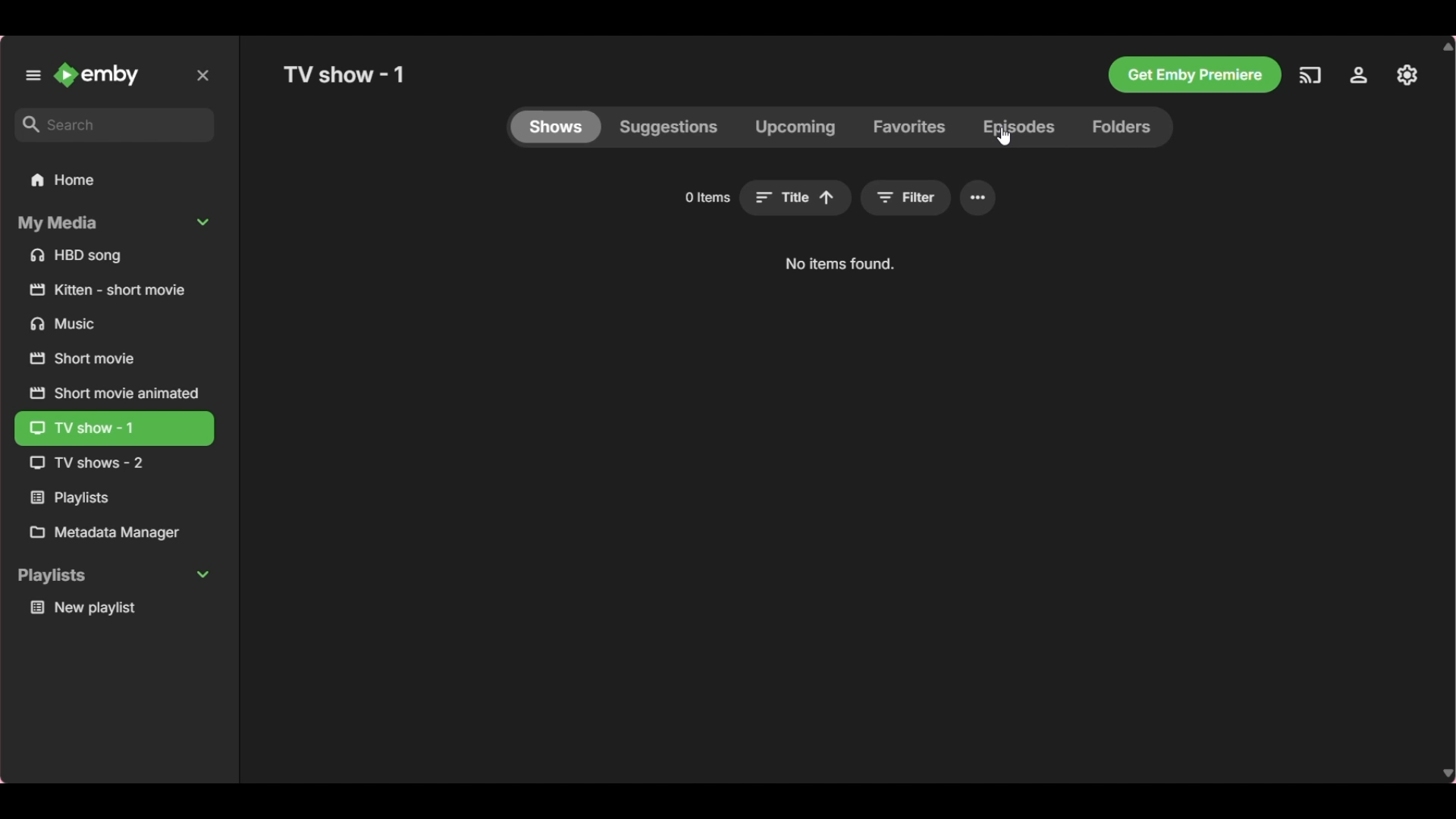 The height and width of the screenshot is (819, 1456). Describe the element at coordinates (33, 75) in the screenshot. I see `Unpin left panel` at that location.